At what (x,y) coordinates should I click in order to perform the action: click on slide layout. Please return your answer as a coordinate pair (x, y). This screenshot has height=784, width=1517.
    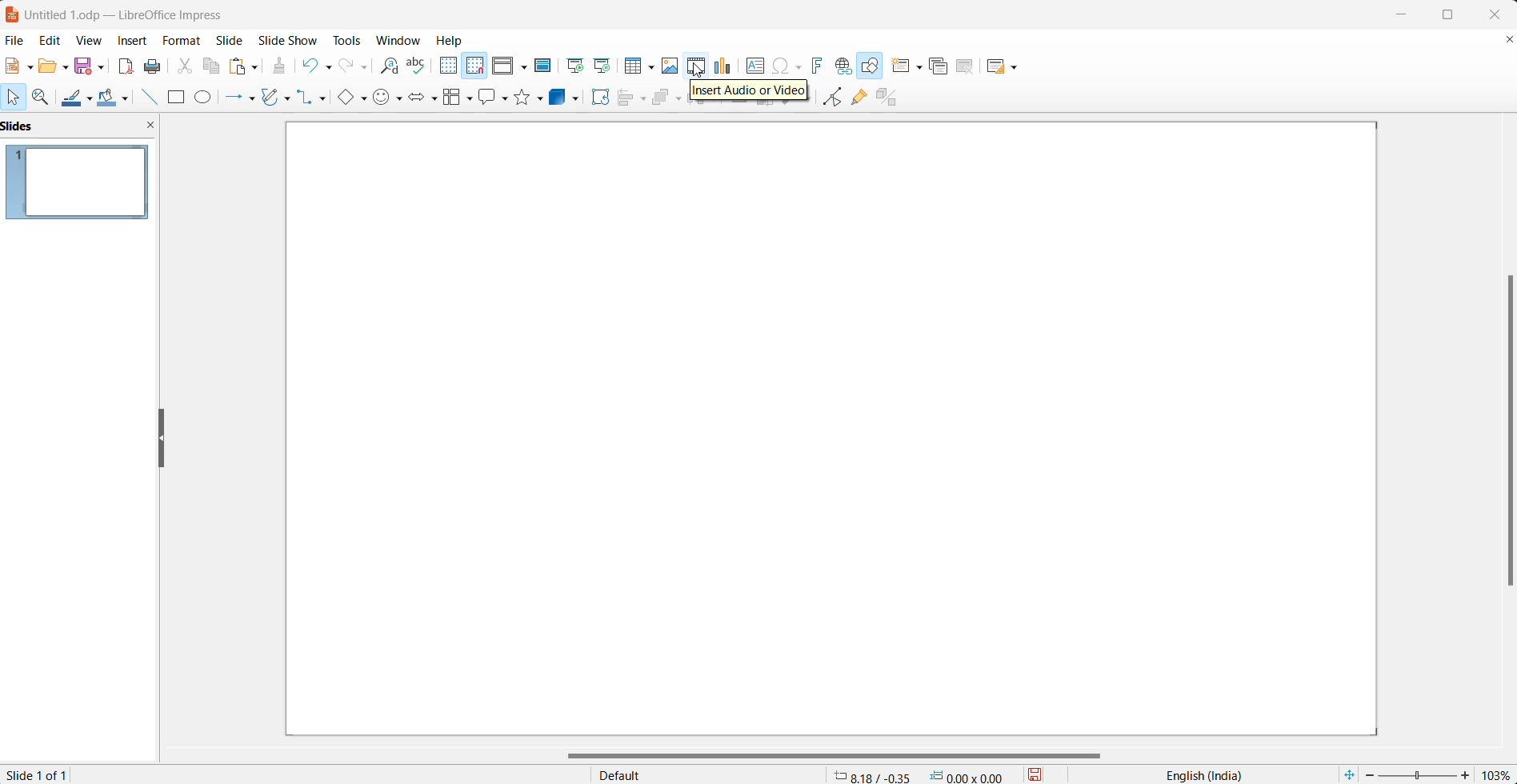
    Looking at the image, I should click on (993, 66).